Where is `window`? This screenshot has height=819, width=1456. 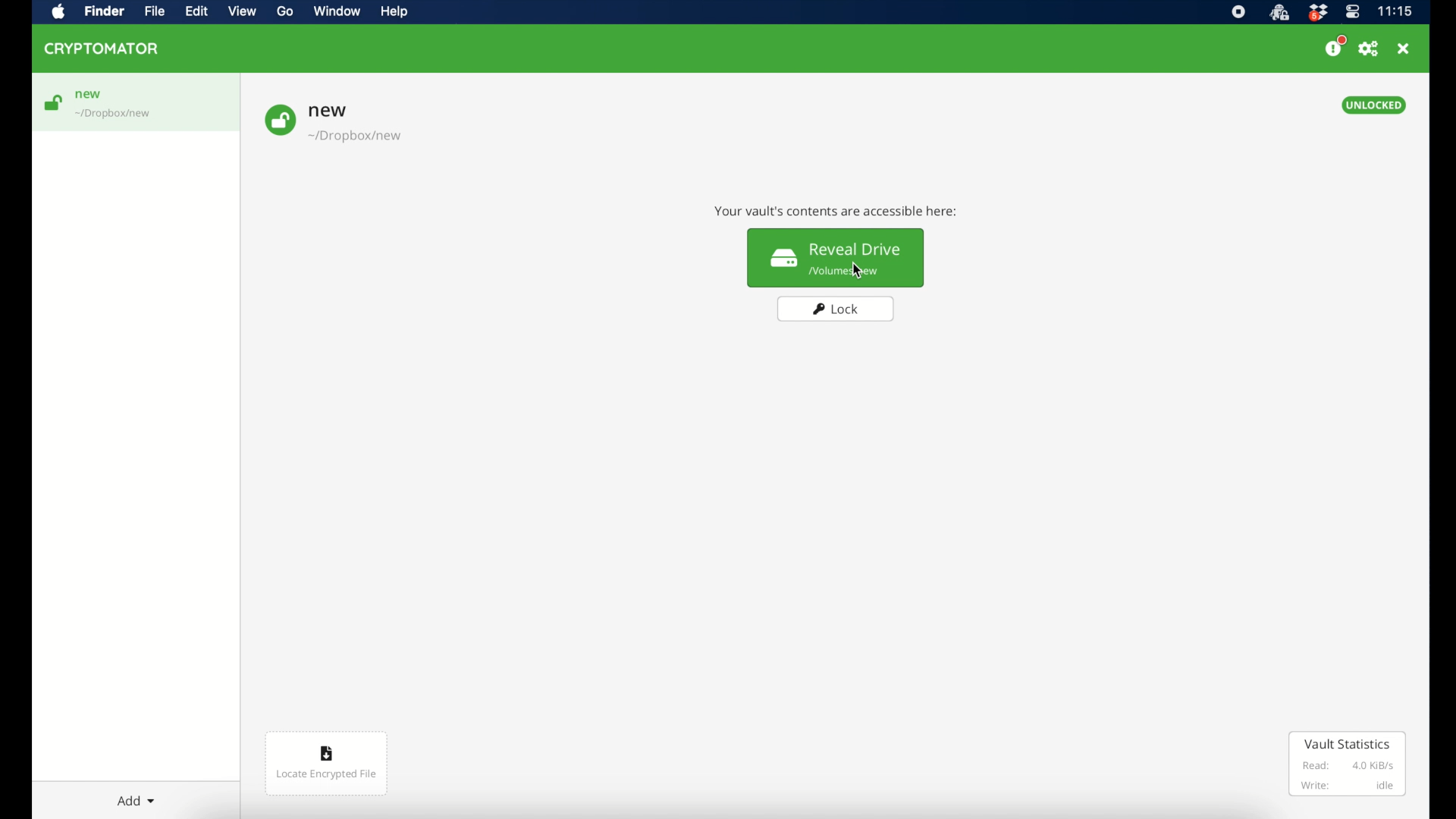 window is located at coordinates (337, 11).